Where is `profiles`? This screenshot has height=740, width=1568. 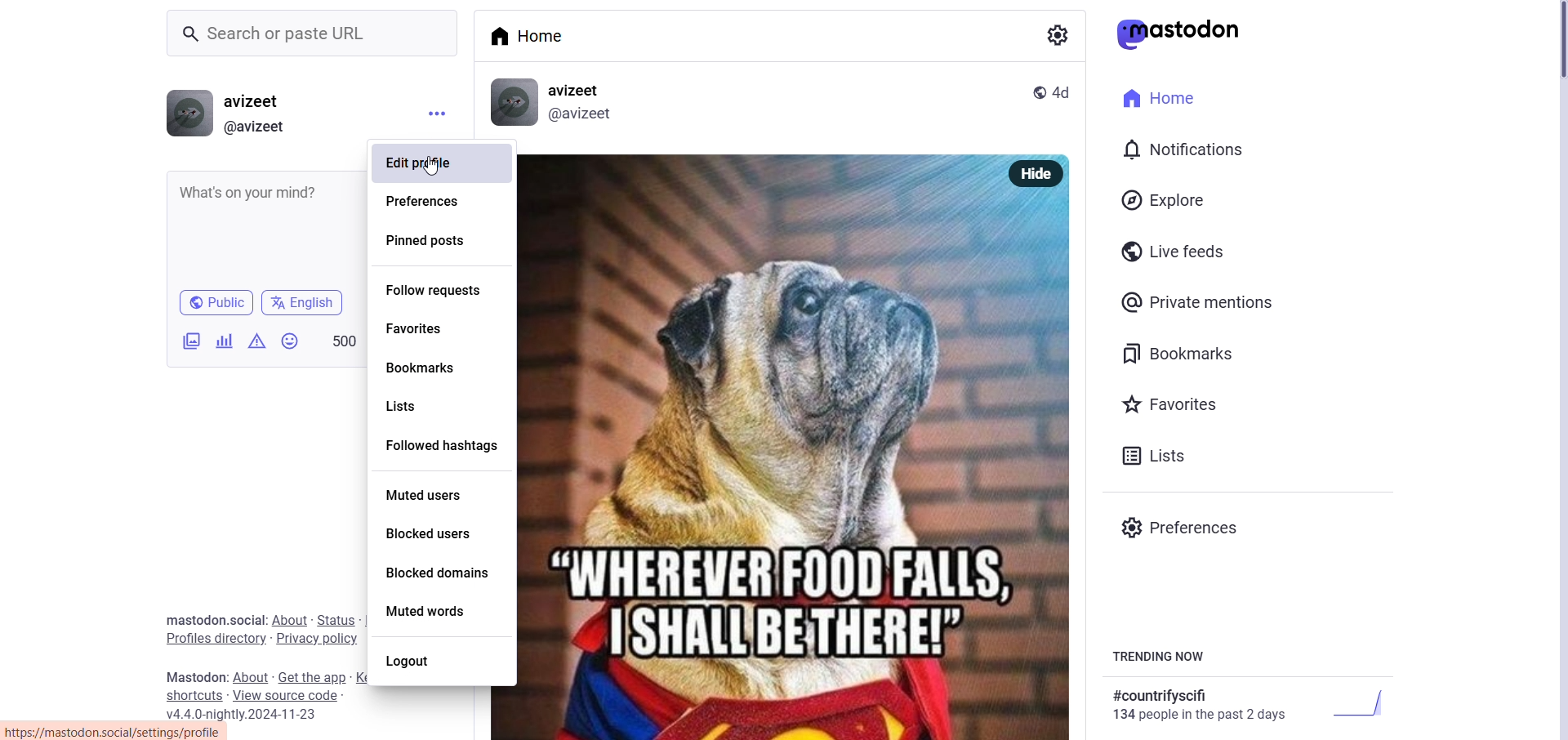
profiles is located at coordinates (209, 639).